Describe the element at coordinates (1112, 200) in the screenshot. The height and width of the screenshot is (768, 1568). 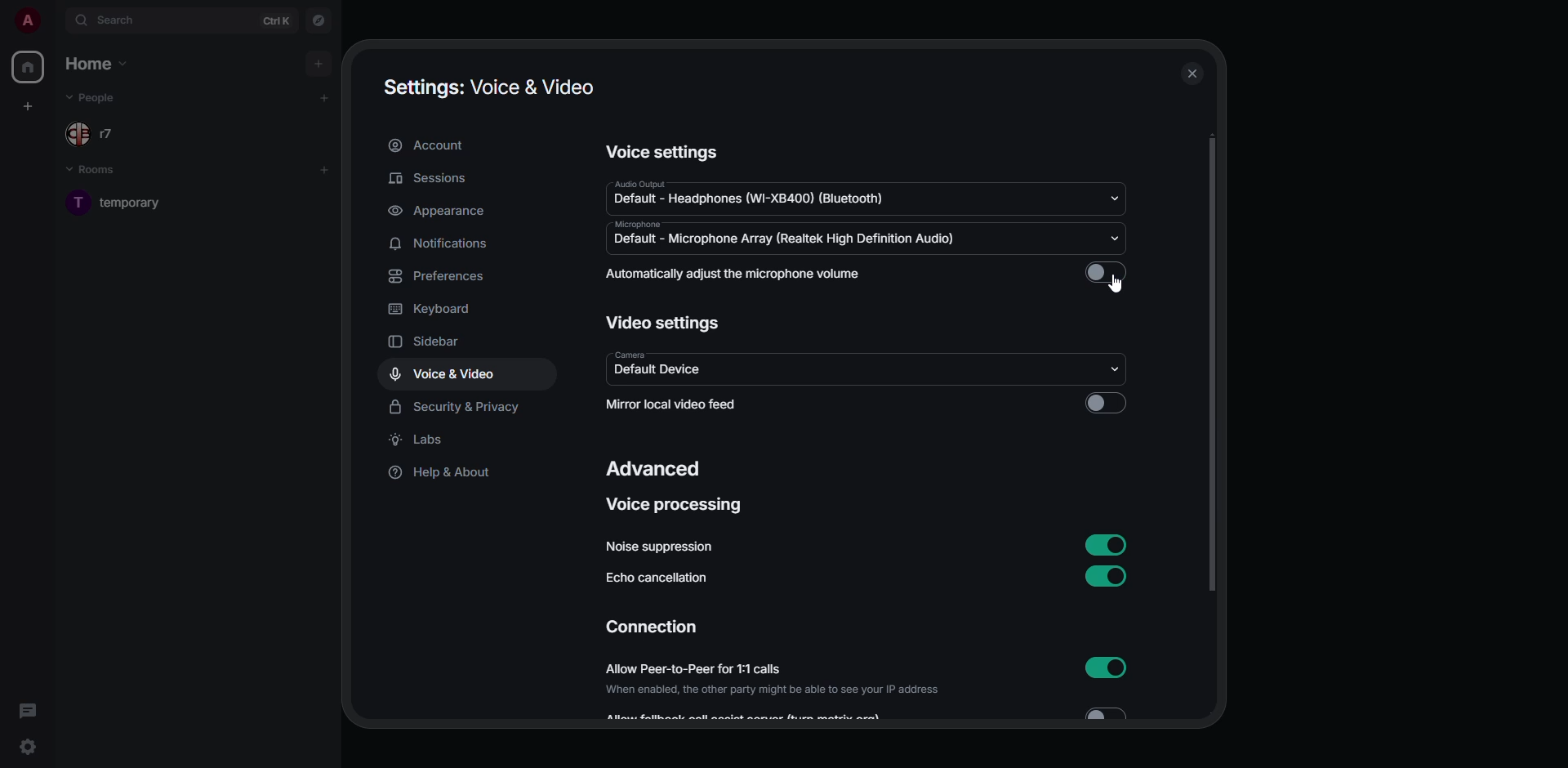
I see `drop down` at that location.